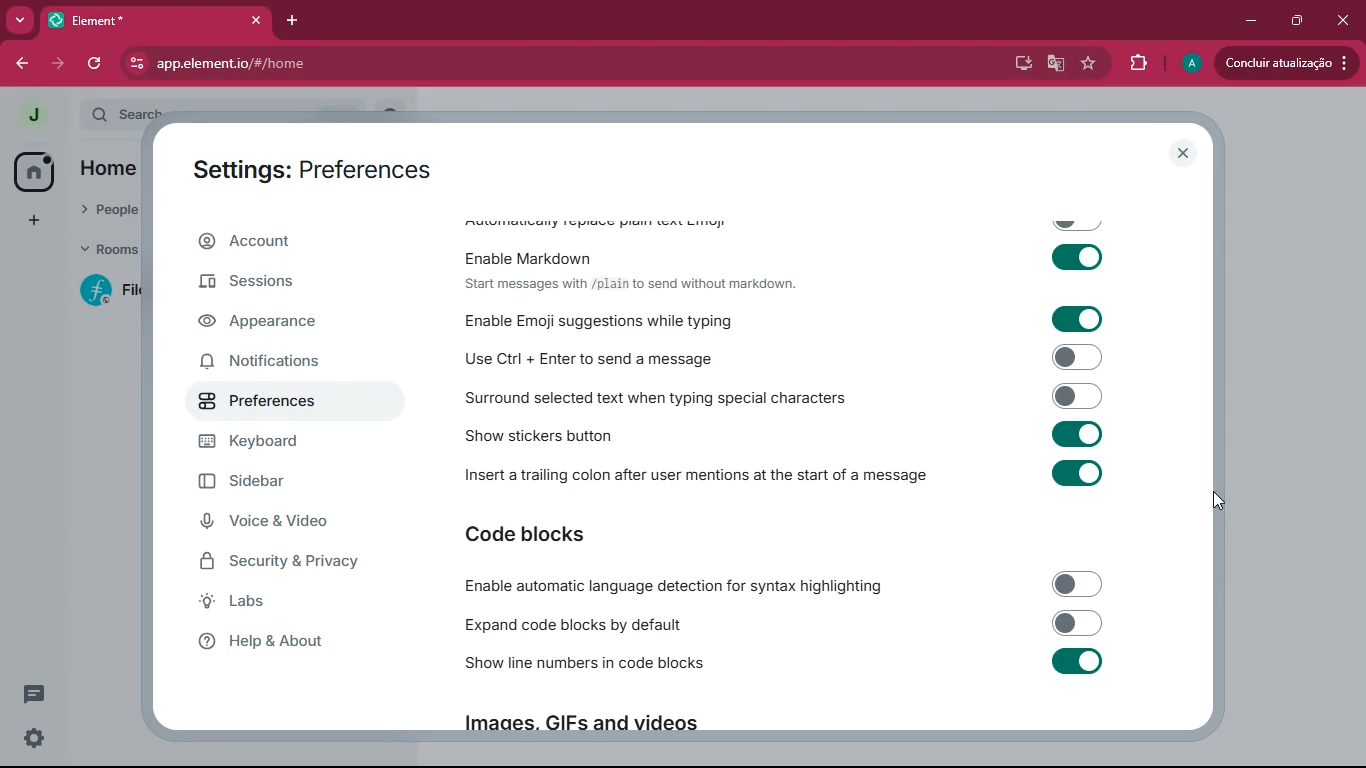 The width and height of the screenshot is (1366, 768). I want to click on Enable Emoji suggestions while typing, so click(778, 319).